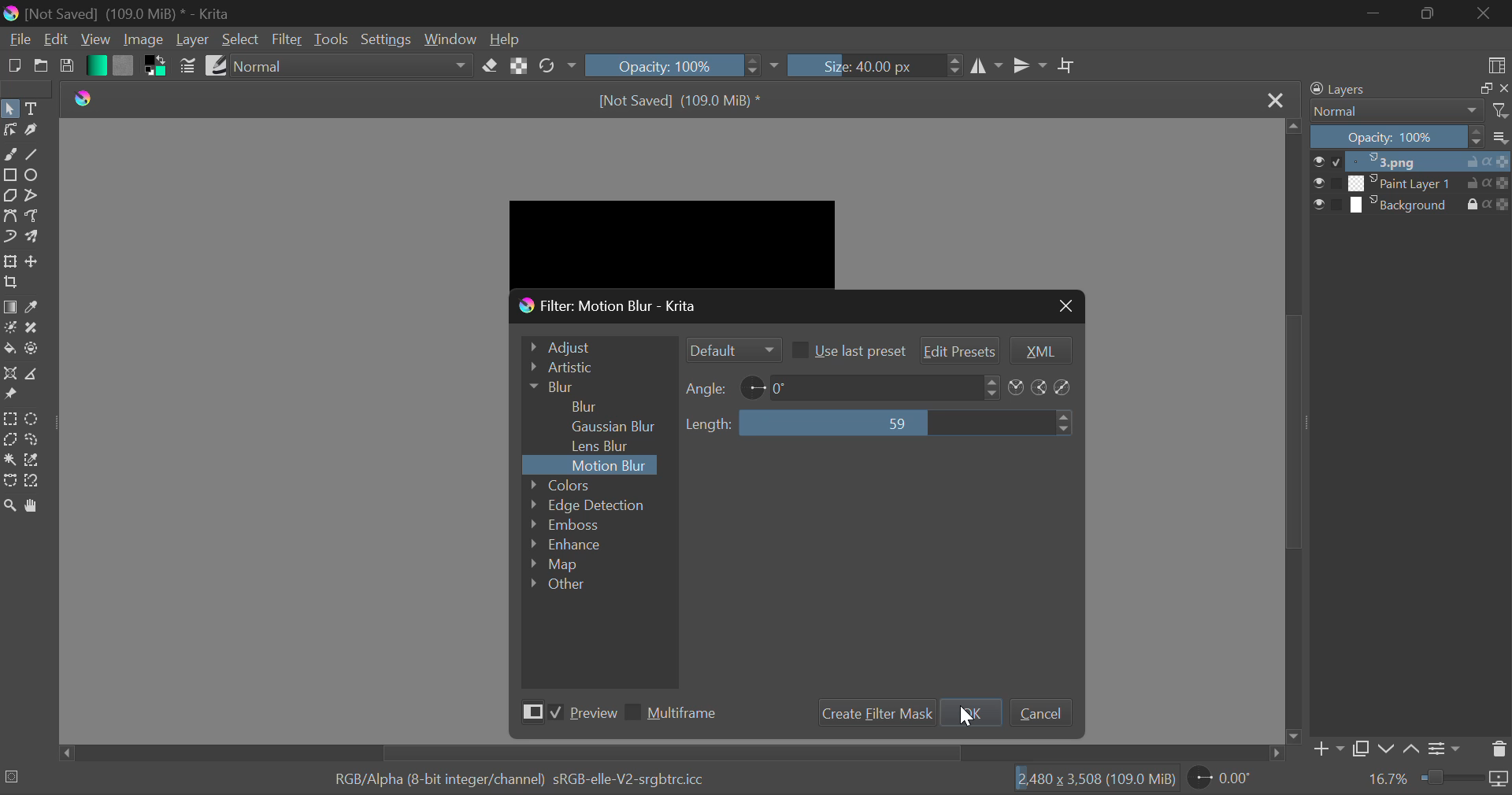 The image size is (1512, 795). Describe the element at coordinates (35, 261) in the screenshot. I see `Move Layer` at that location.